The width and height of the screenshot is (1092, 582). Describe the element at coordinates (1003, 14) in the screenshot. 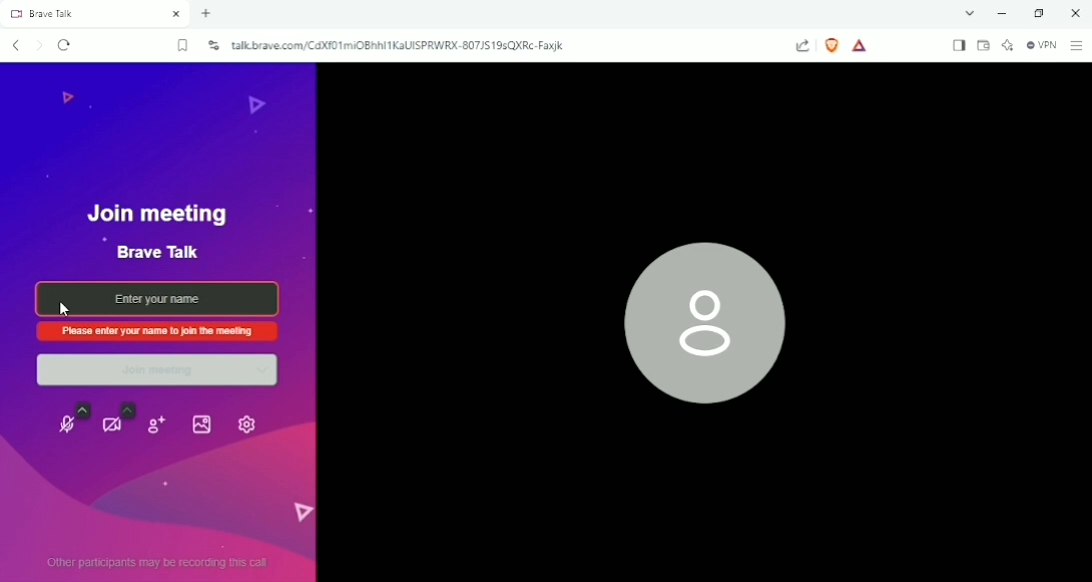

I see `Minimize` at that location.